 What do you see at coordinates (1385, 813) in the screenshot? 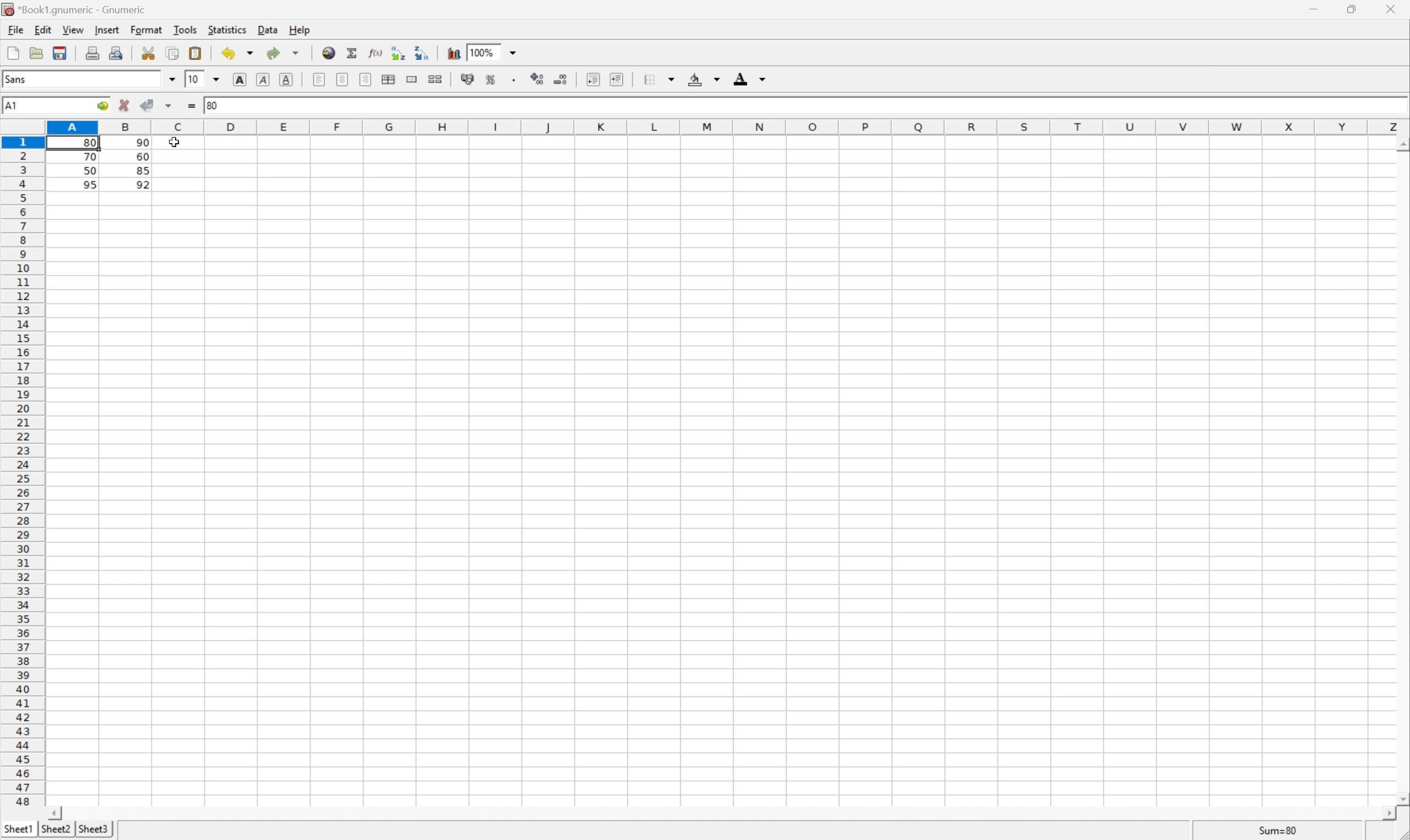
I see `Scroll Right` at bounding box center [1385, 813].